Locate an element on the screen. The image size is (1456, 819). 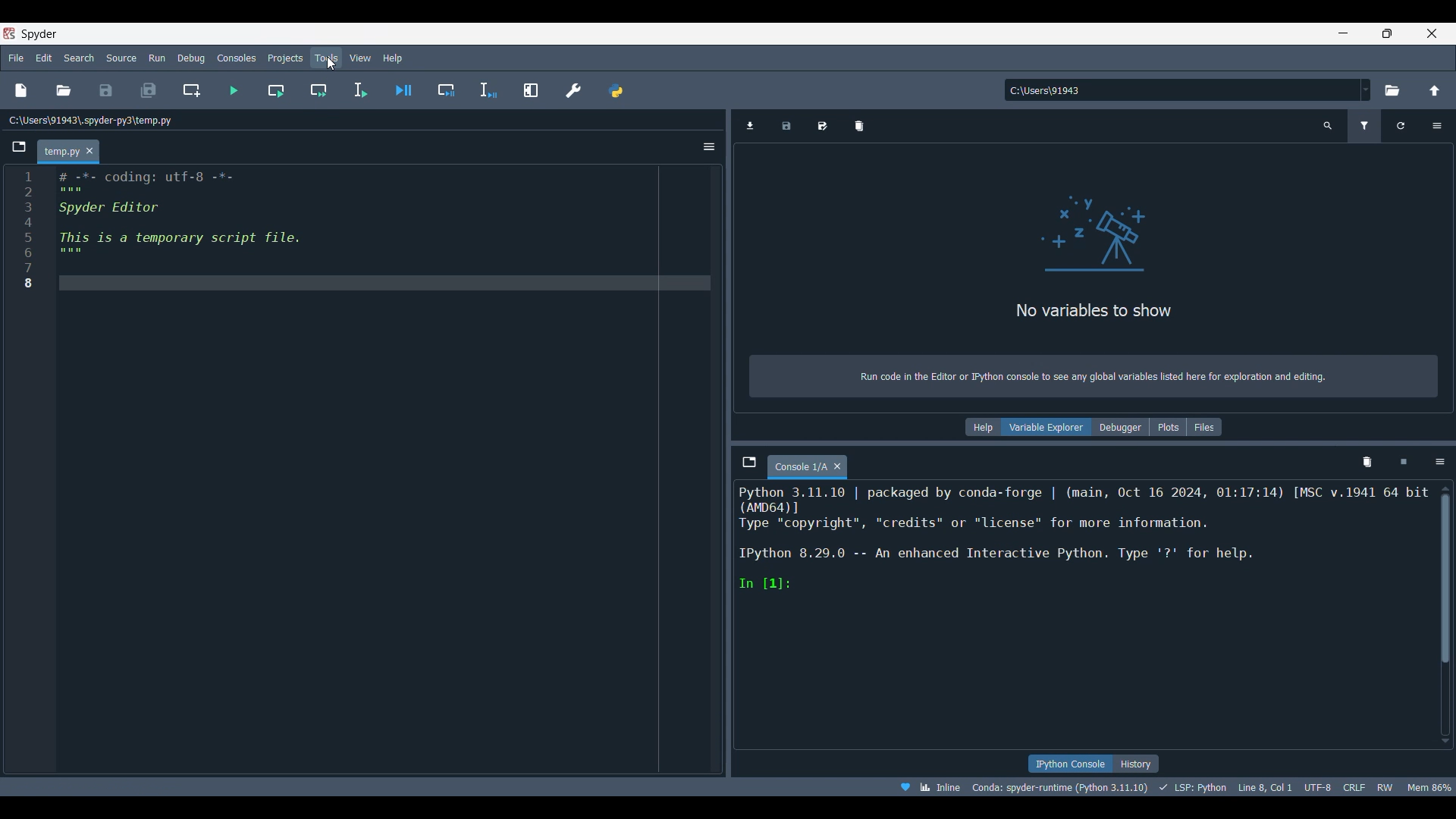
IPython console is located at coordinates (1069, 764).